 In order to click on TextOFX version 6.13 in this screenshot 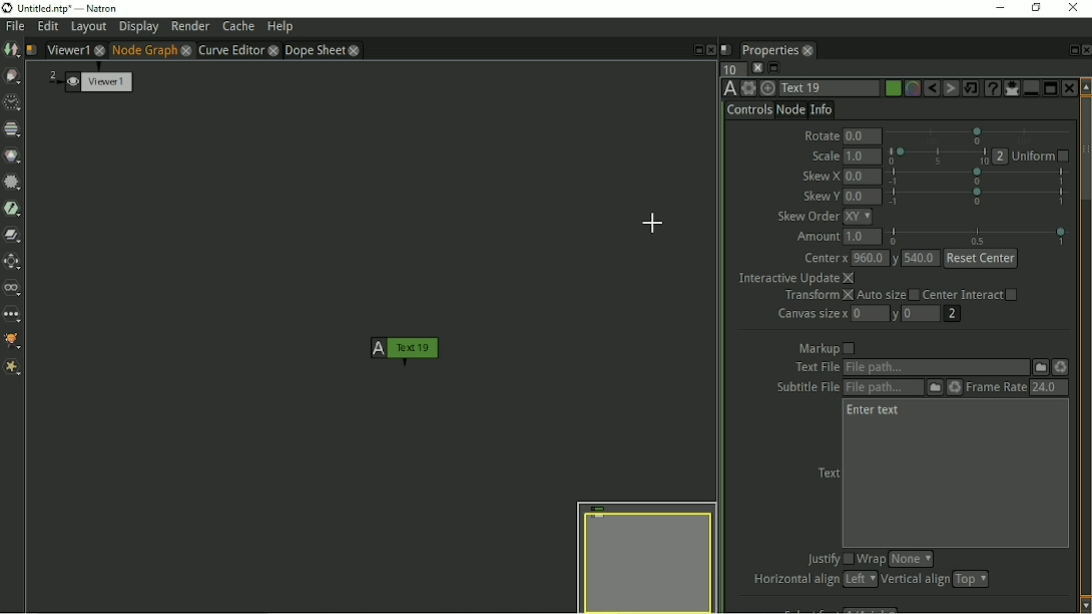, I will do `click(727, 89)`.